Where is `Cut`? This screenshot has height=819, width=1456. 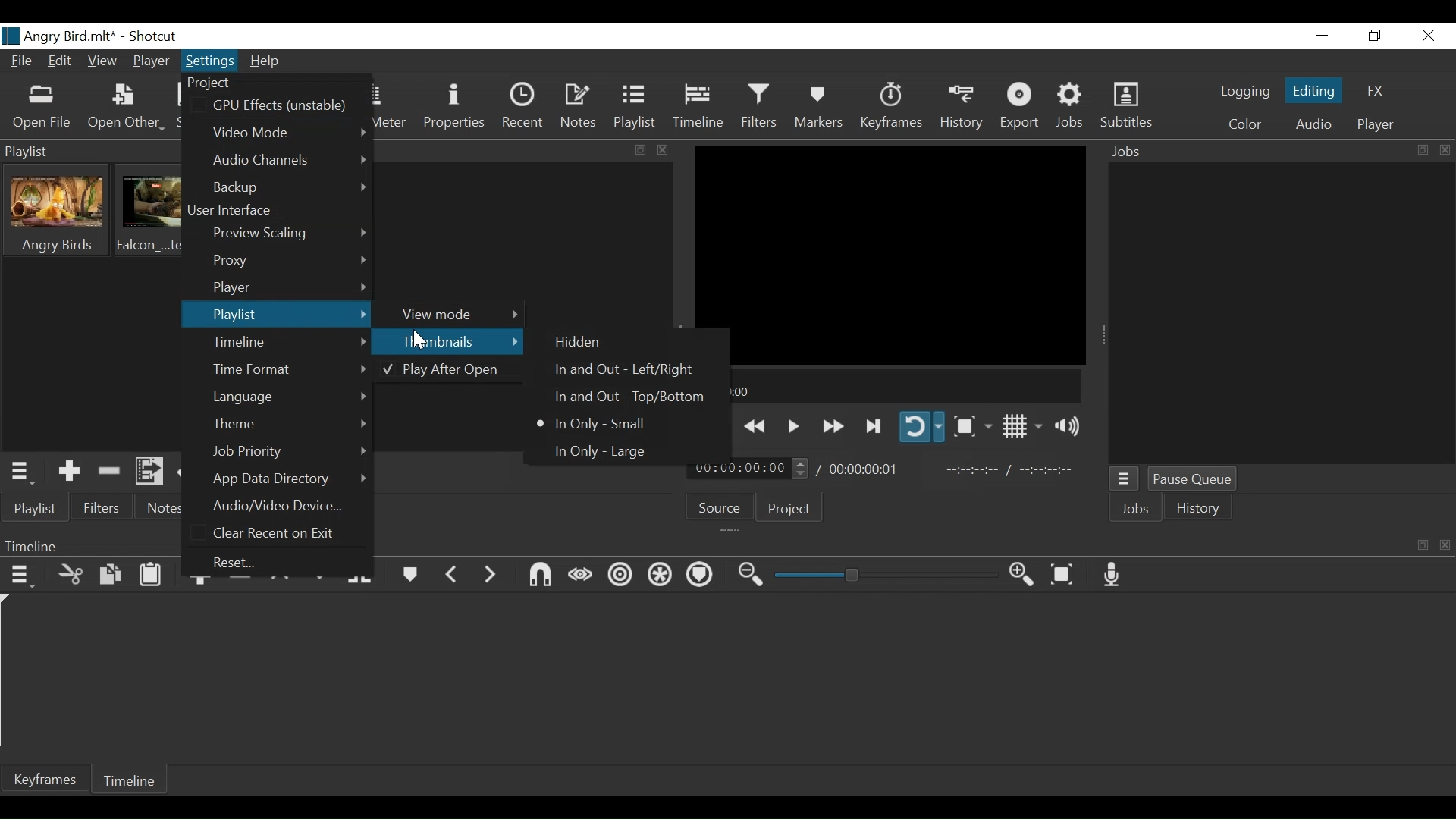 Cut is located at coordinates (71, 576).